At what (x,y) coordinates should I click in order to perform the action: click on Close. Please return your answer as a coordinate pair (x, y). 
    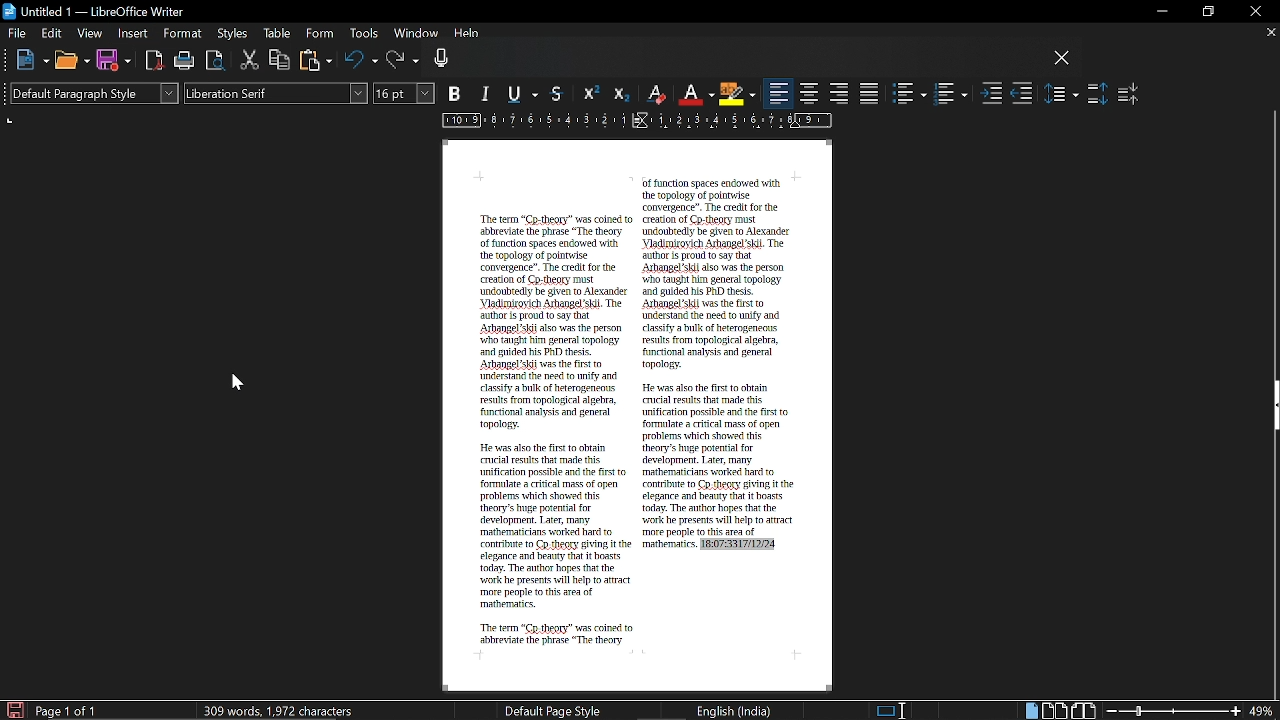
    Looking at the image, I should click on (1254, 12).